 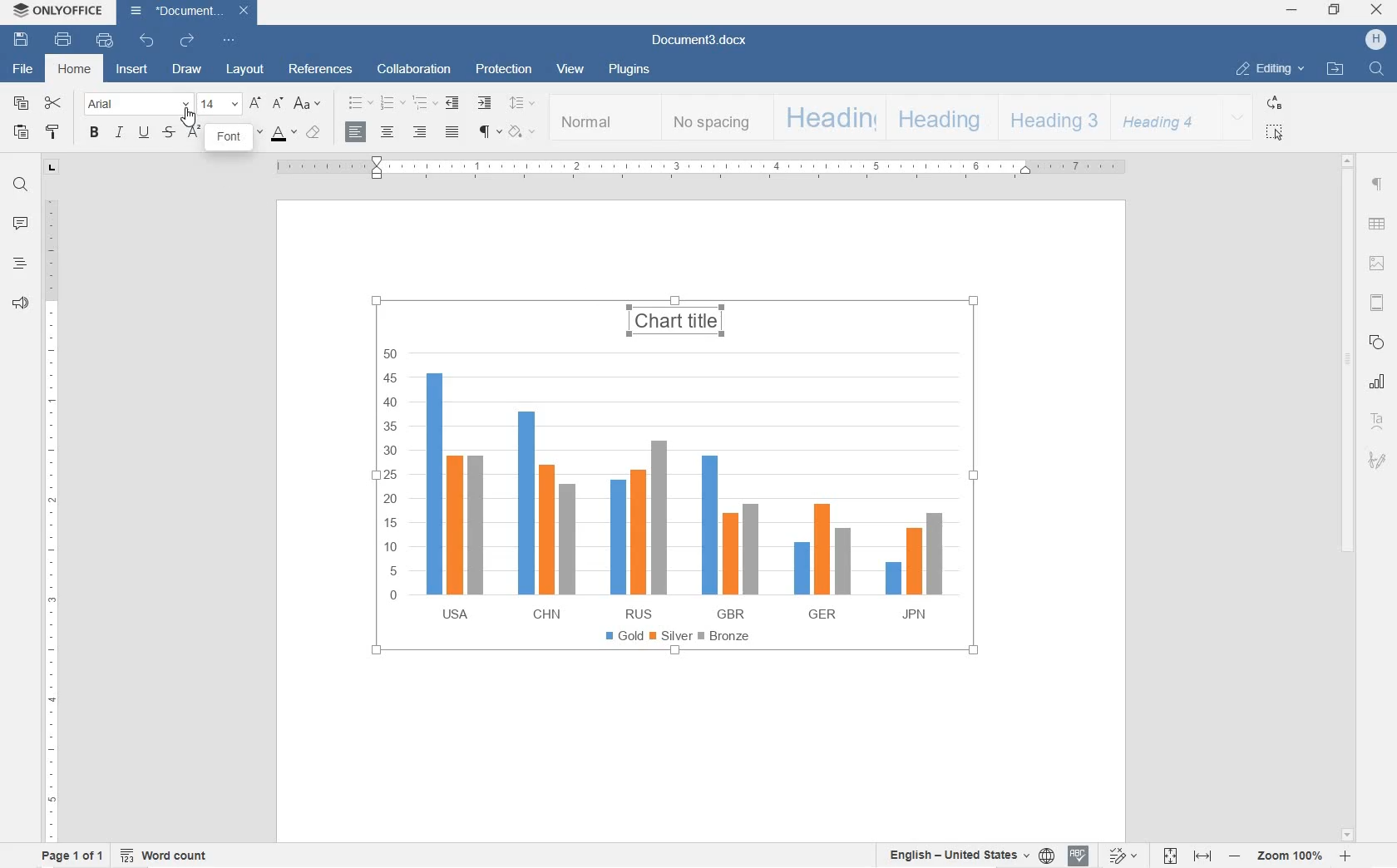 I want to click on FONT COLOR, so click(x=284, y=135).